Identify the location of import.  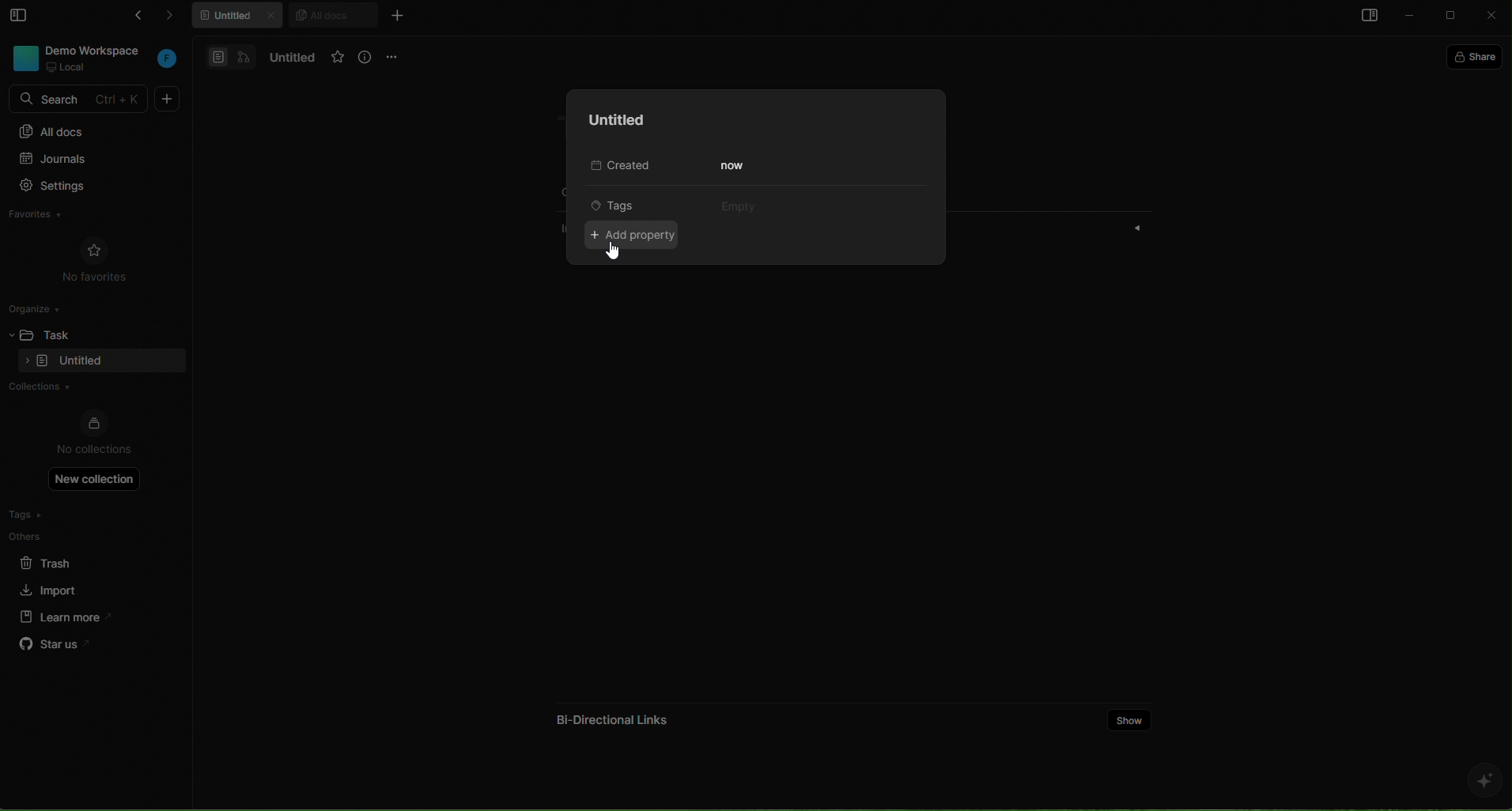
(51, 588).